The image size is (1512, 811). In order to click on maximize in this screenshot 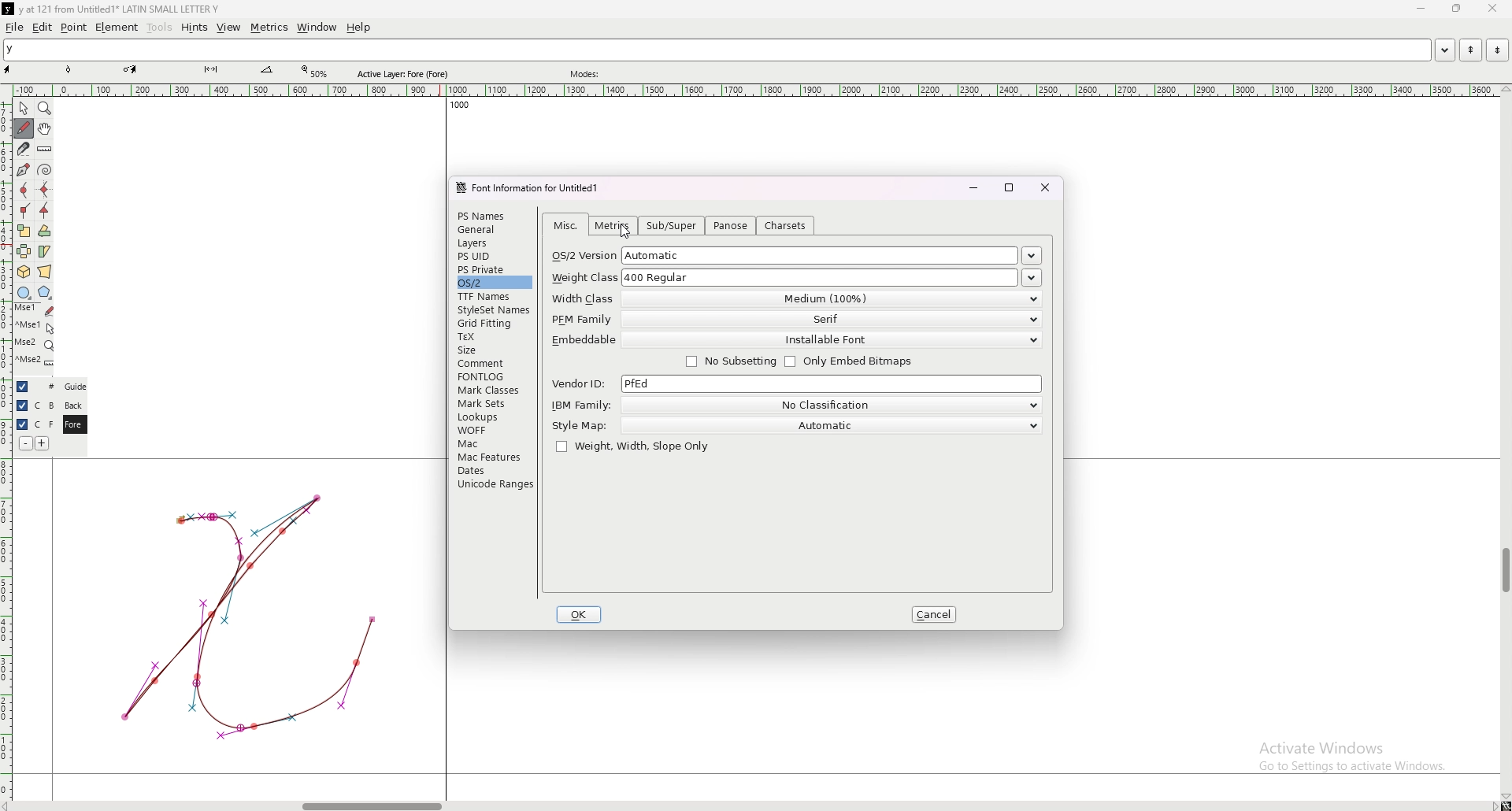, I will do `click(1010, 187)`.